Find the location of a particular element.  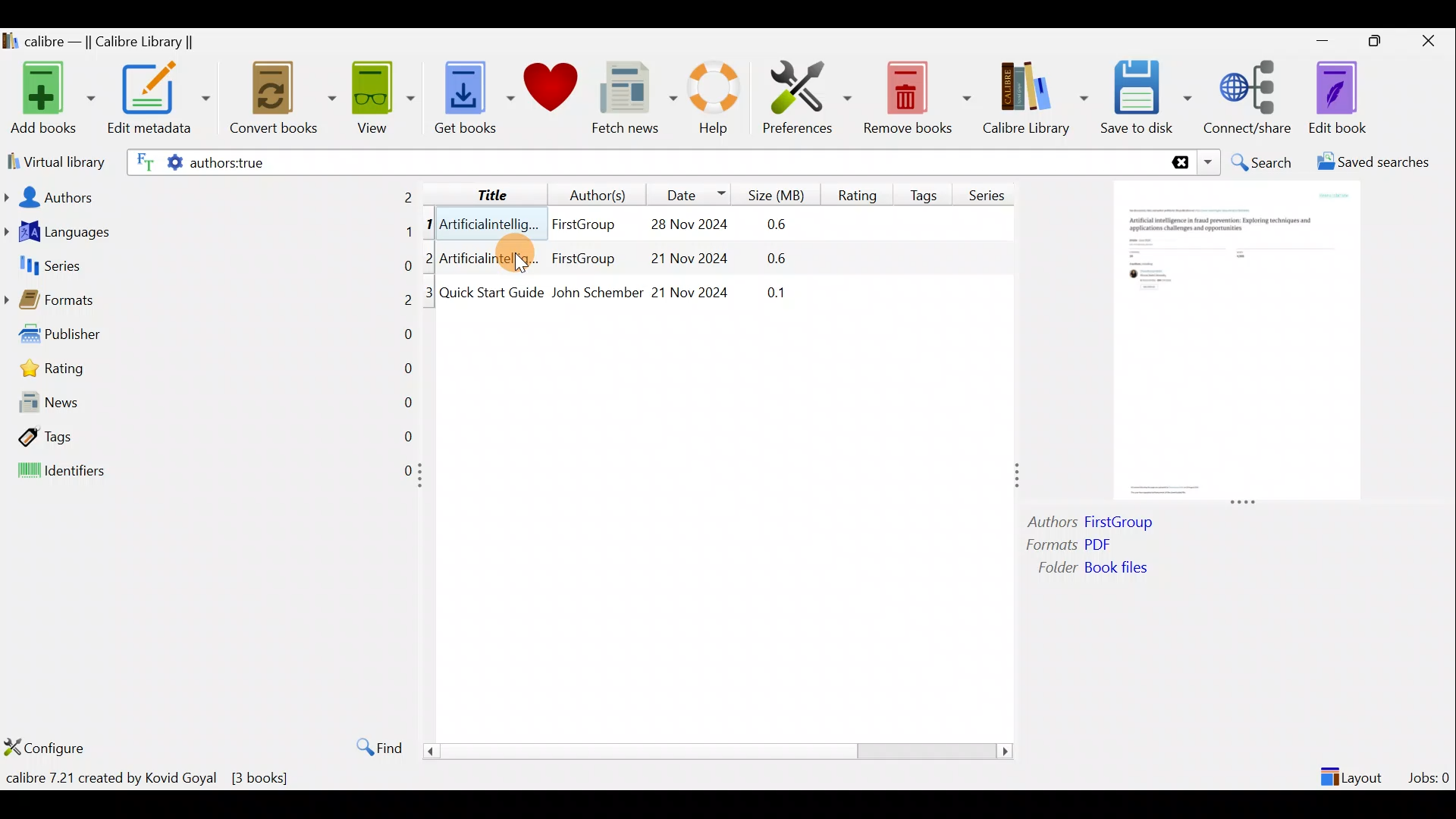

1 is located at coordinates (429, 225).